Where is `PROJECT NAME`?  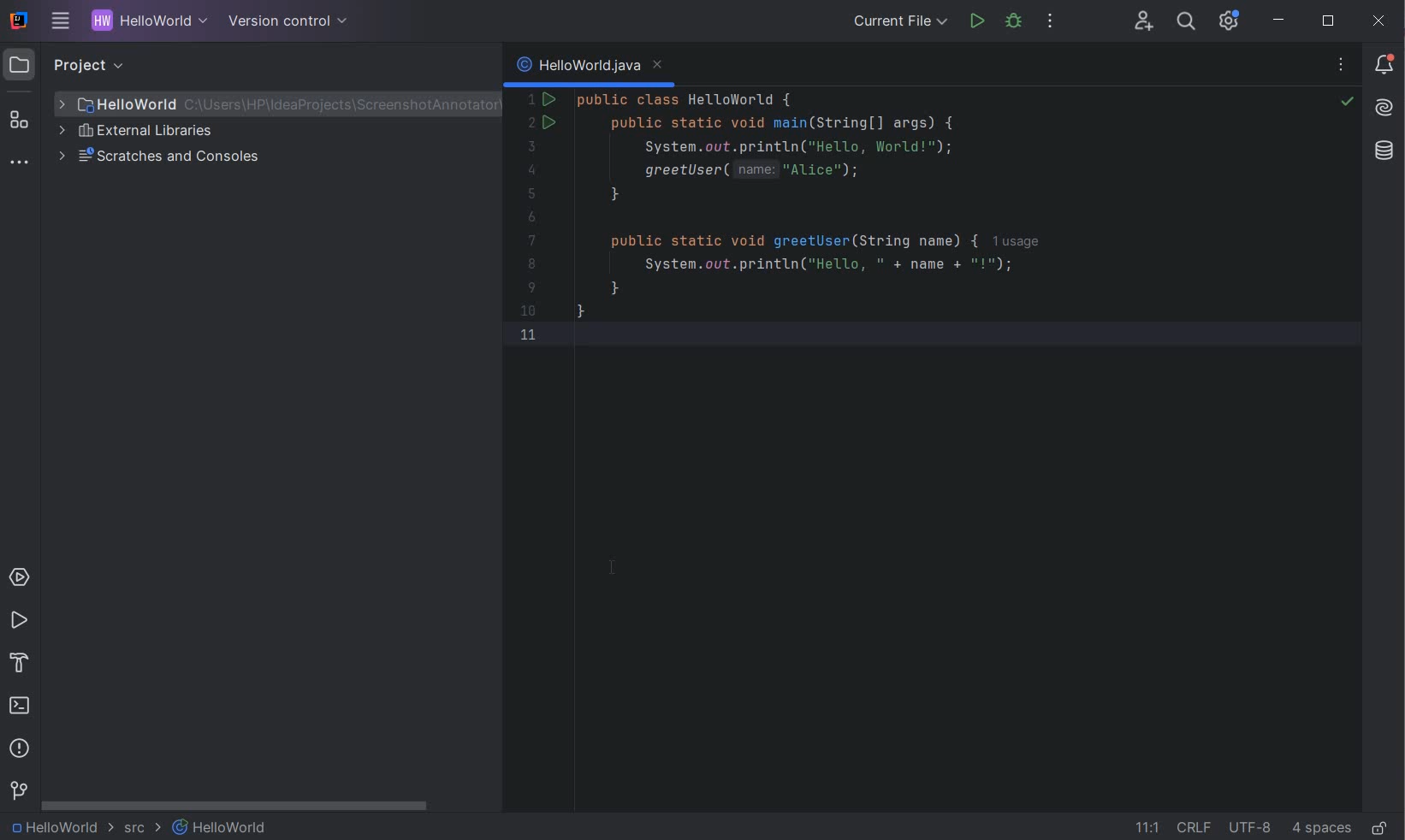
PROJECT NAME is located at coordinates (60, 828).